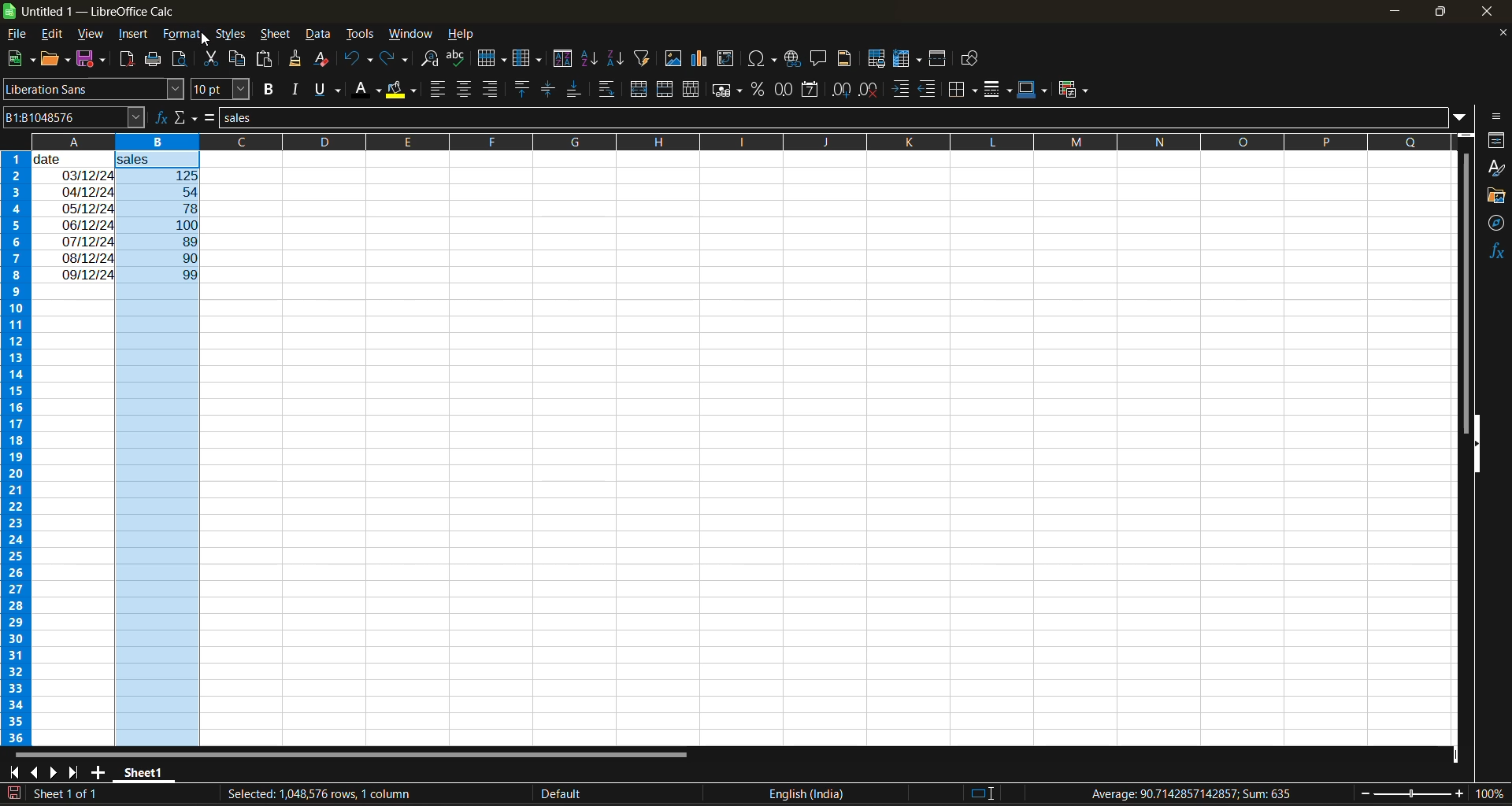 Image resolution: width=1512 pixels, height=806 pixels. I want to click on bold, so click(272, 89).